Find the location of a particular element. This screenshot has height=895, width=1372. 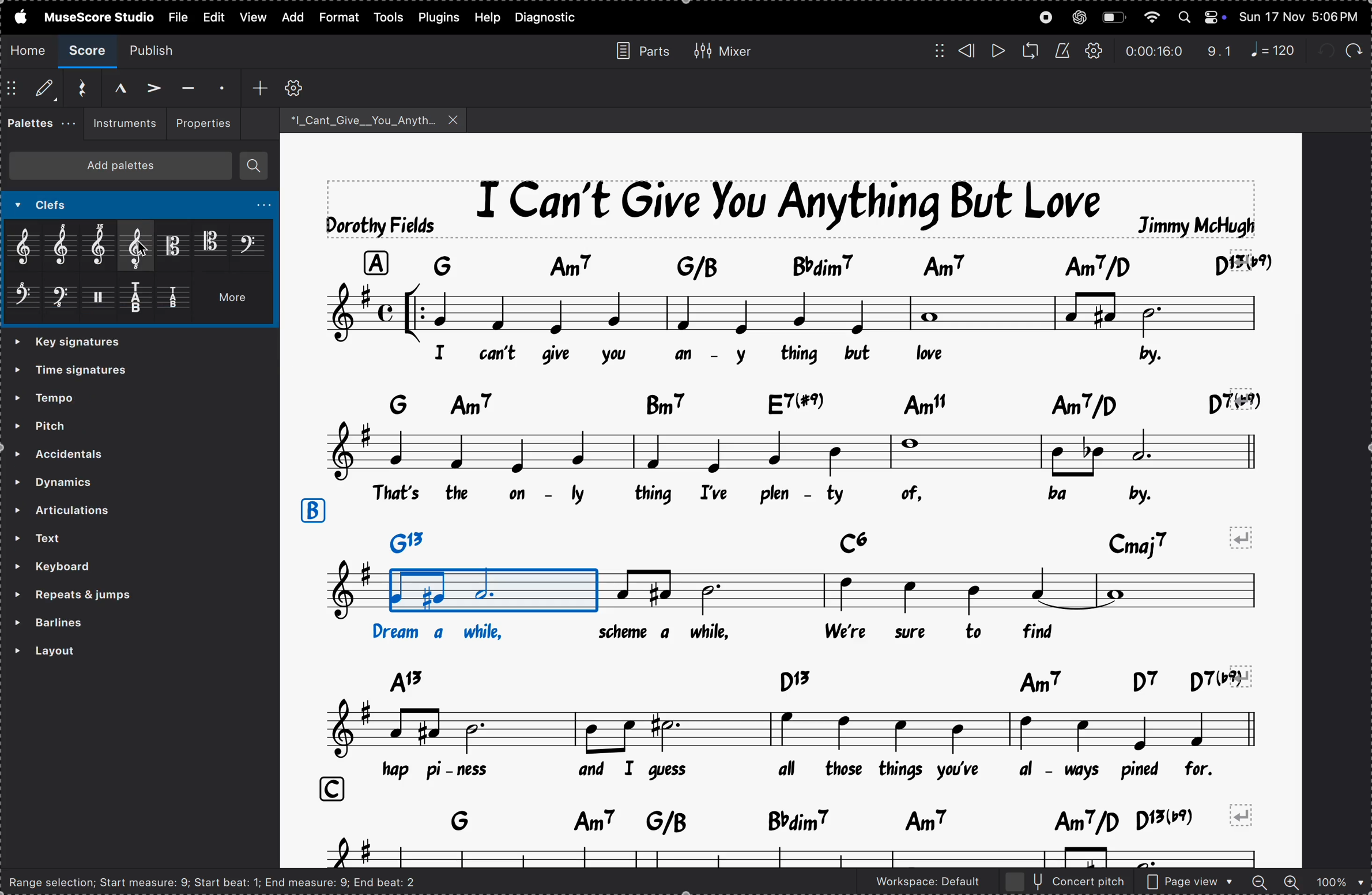

More is located at coordinates (237, 301).